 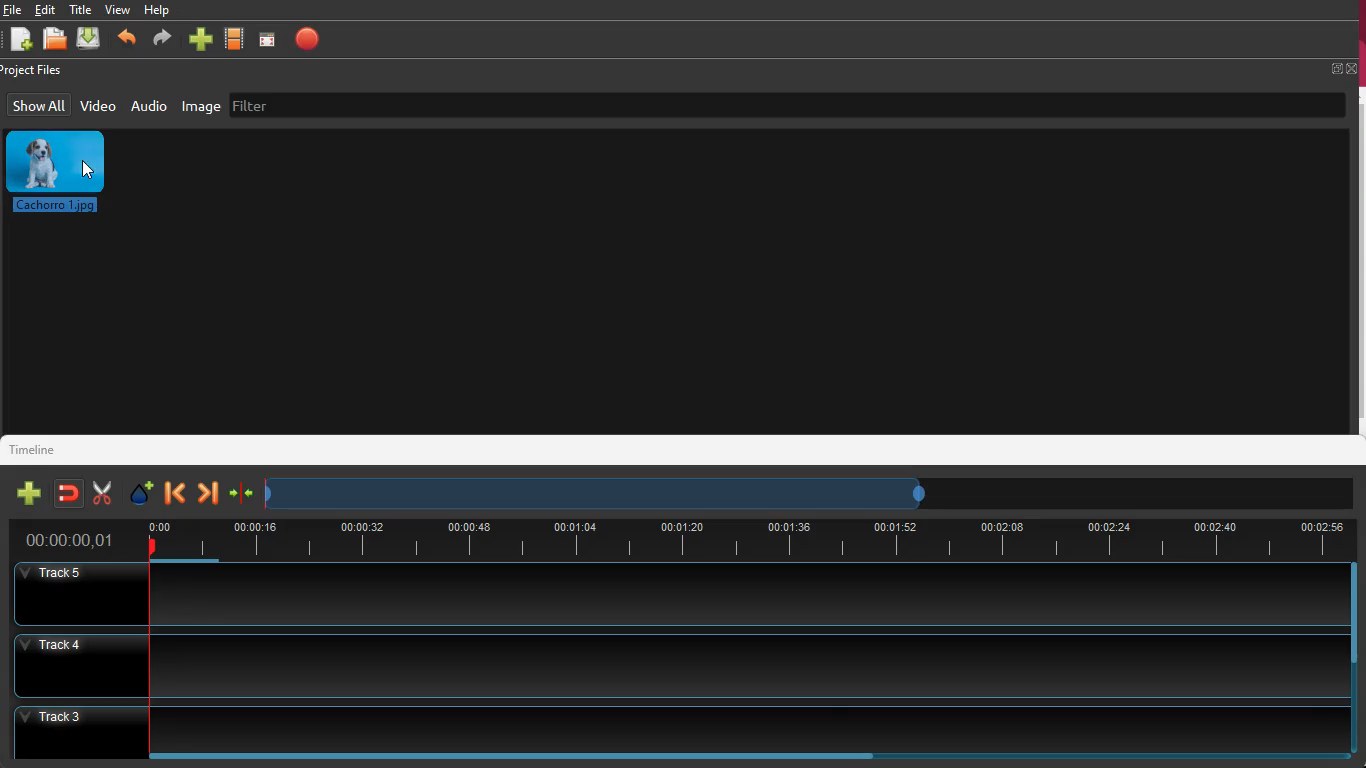 What do you see at coordinates (266, 42) in the screenshot?
I see `screen` at bounding box center [266, 42].